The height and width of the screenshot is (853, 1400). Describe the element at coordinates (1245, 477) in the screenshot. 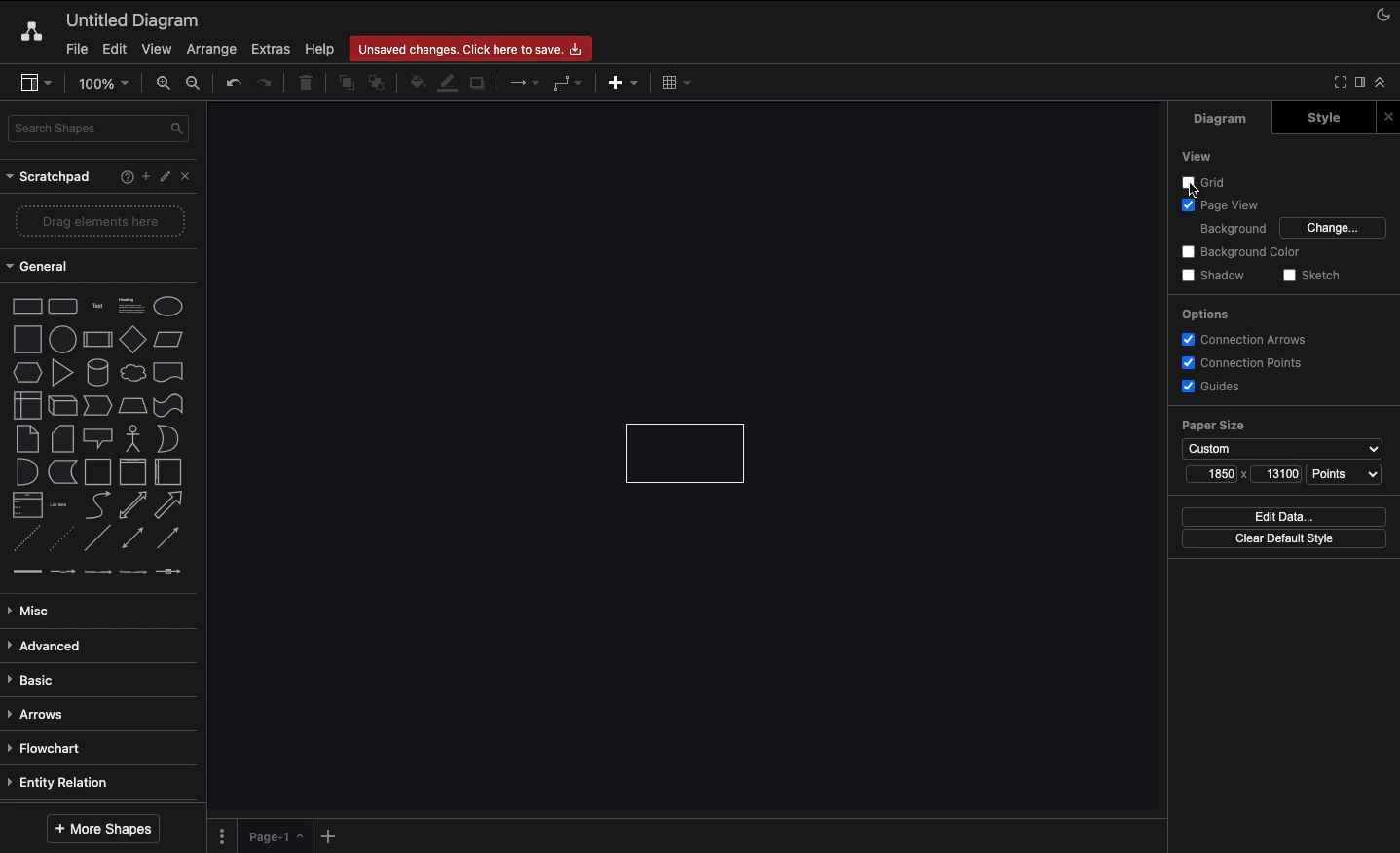

I see `Size ` at that location.